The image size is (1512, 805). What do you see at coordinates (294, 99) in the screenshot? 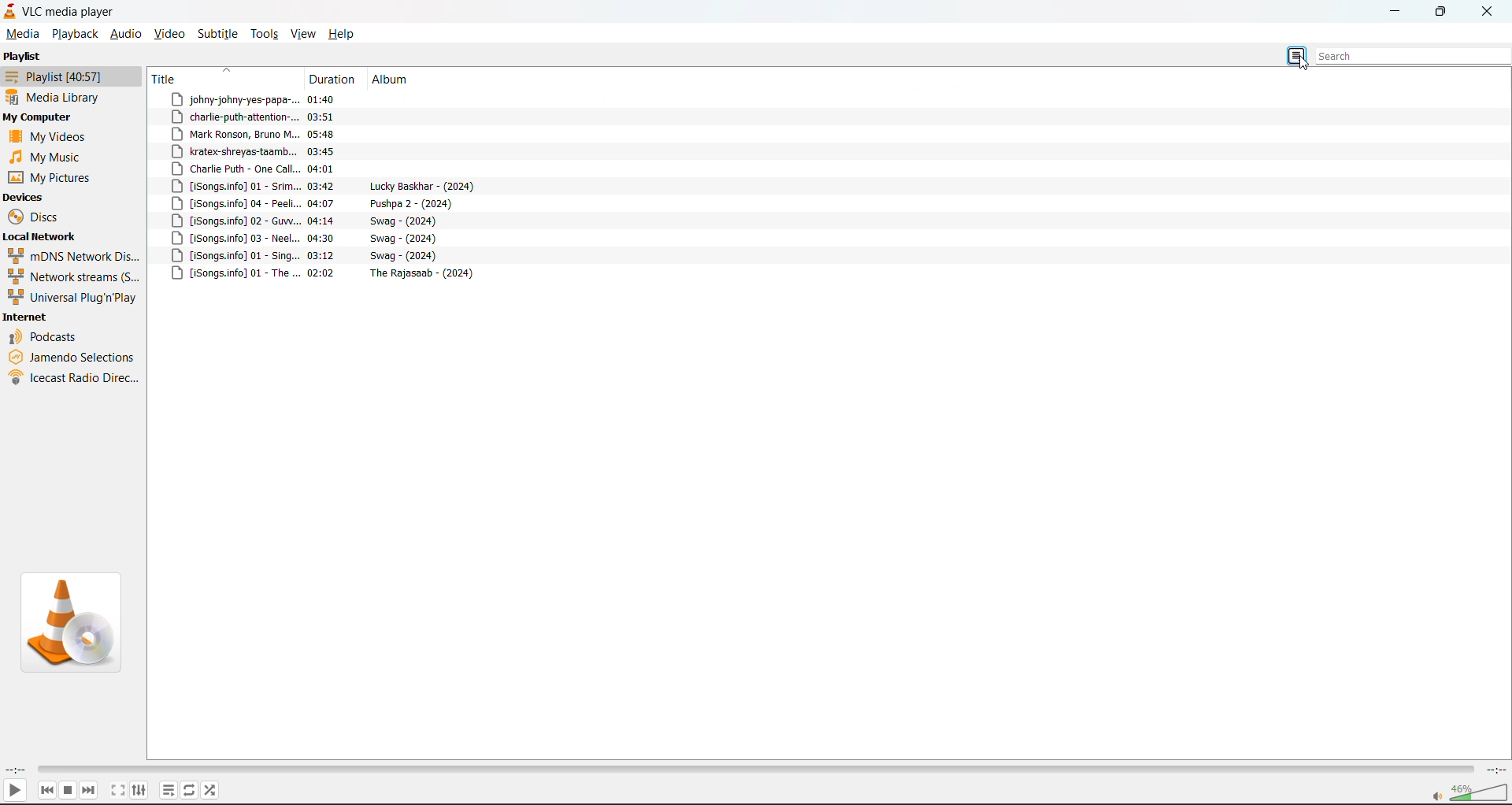
I see `track title with duration and album details` at bounding box center [294, 99].